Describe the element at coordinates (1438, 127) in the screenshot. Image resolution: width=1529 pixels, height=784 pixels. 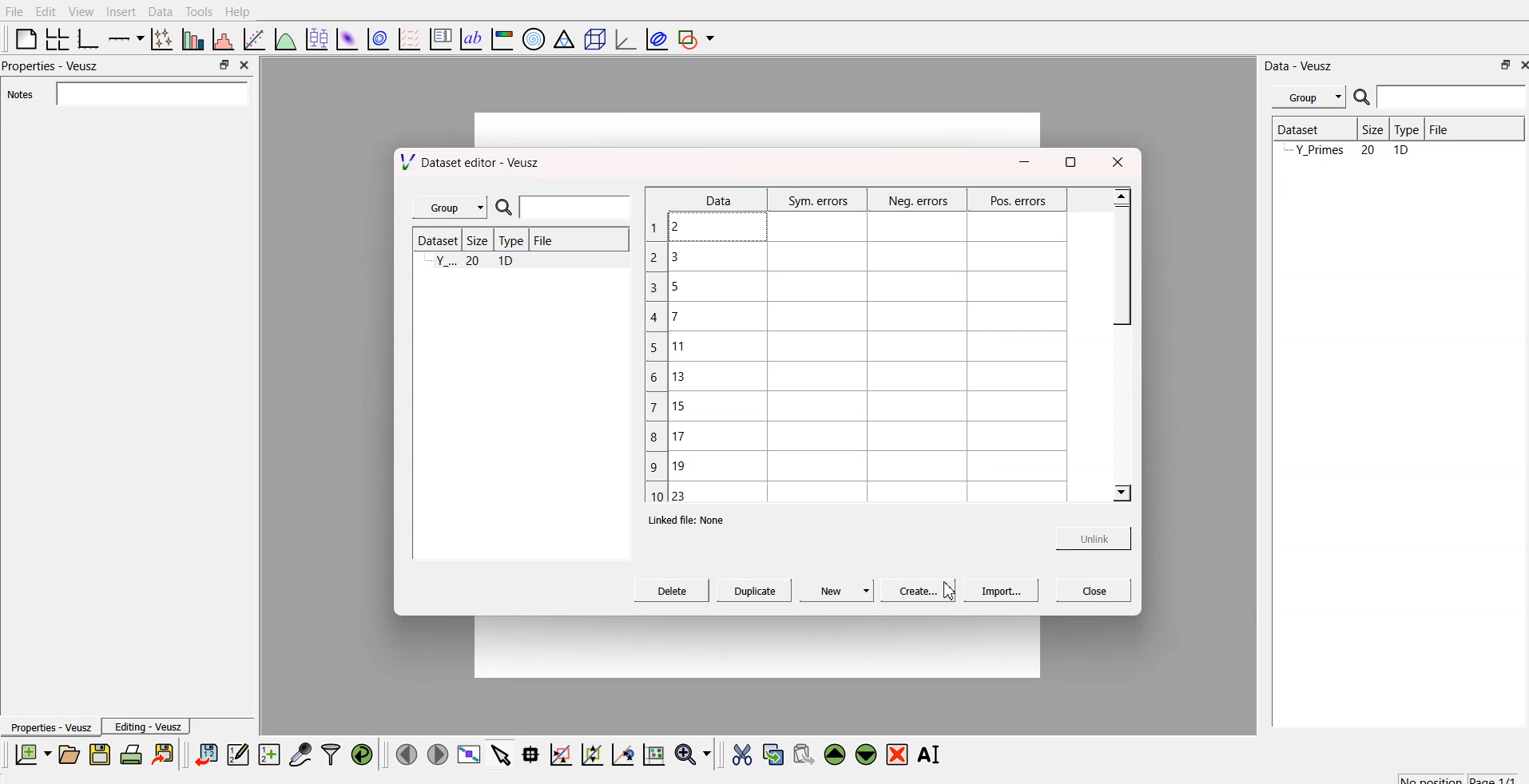
I see `File` at that location.